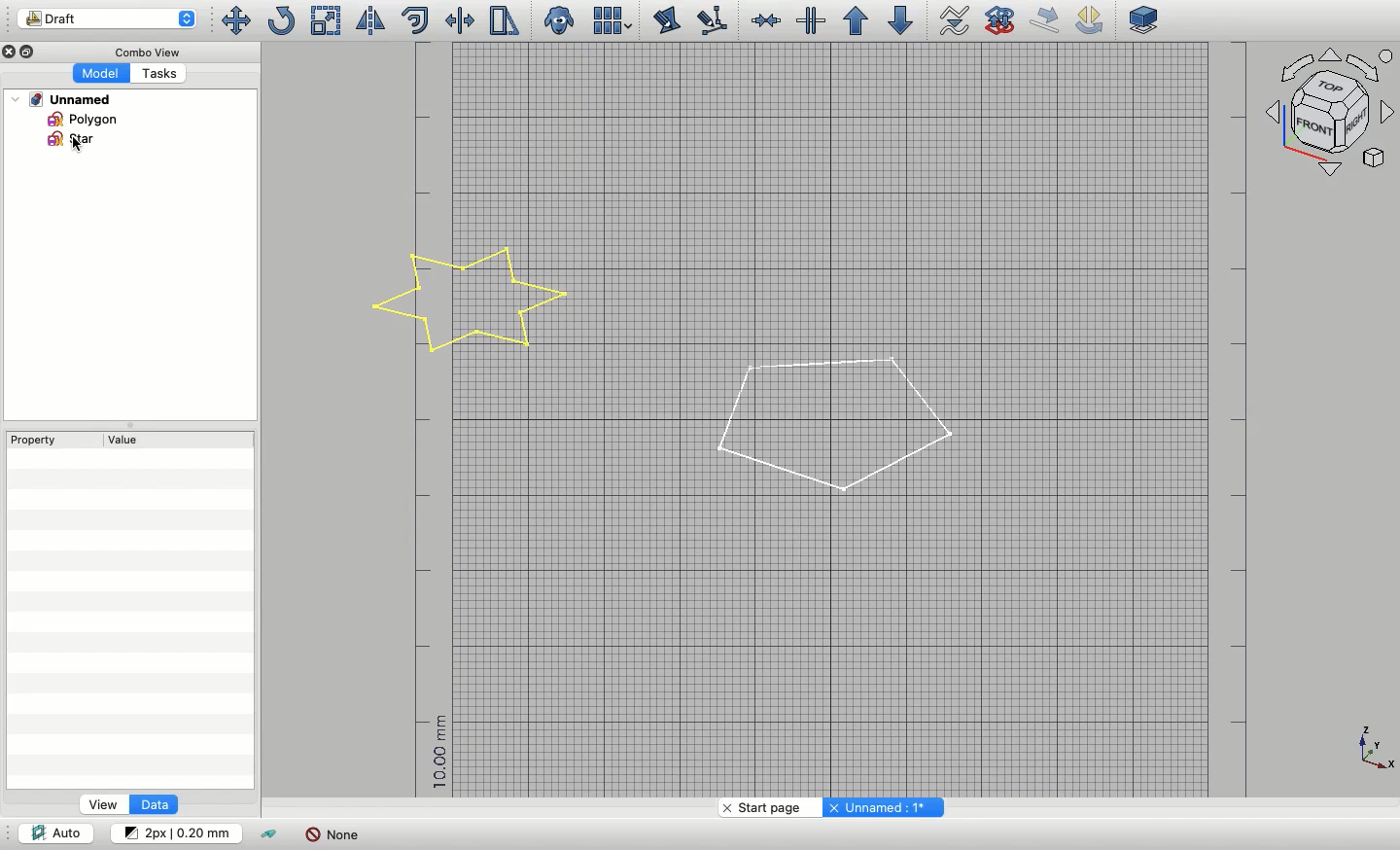  I want to click on Collapse, so click(128, 425).